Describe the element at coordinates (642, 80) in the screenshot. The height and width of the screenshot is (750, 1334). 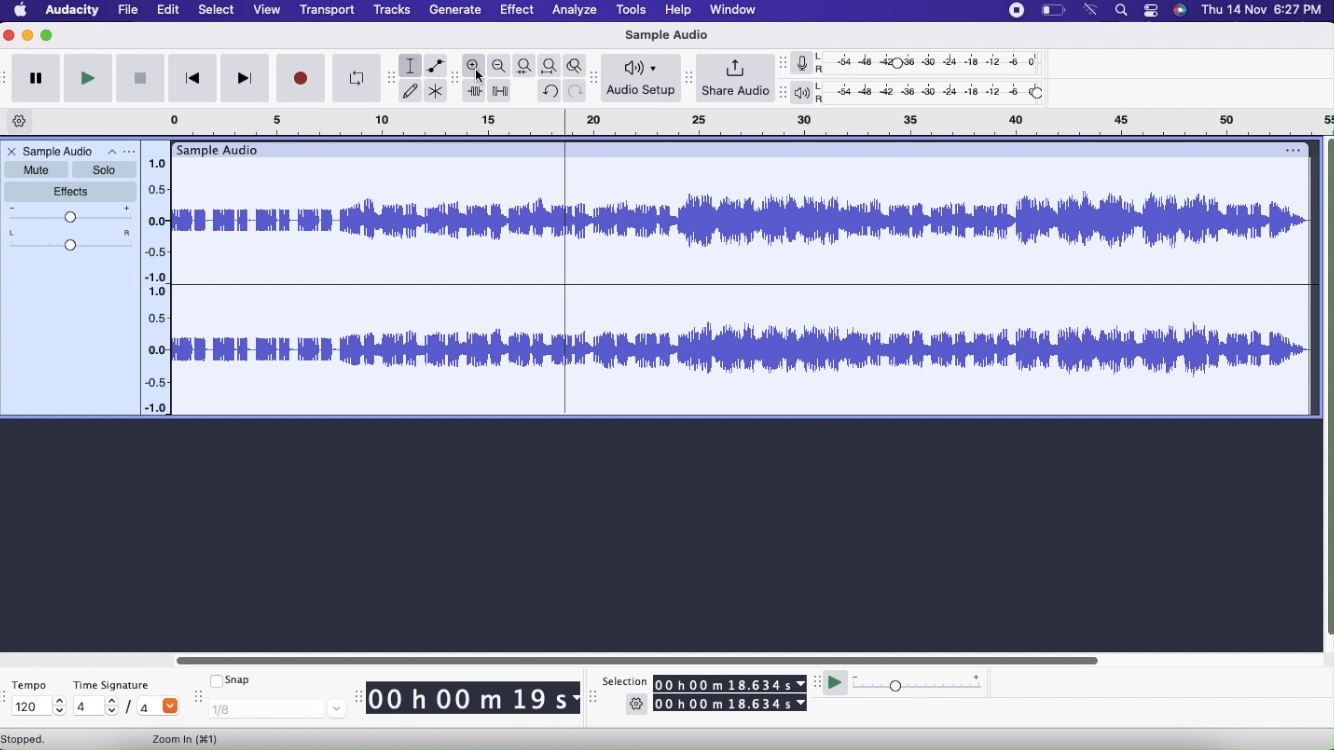
I see `Audio setup` at that location.